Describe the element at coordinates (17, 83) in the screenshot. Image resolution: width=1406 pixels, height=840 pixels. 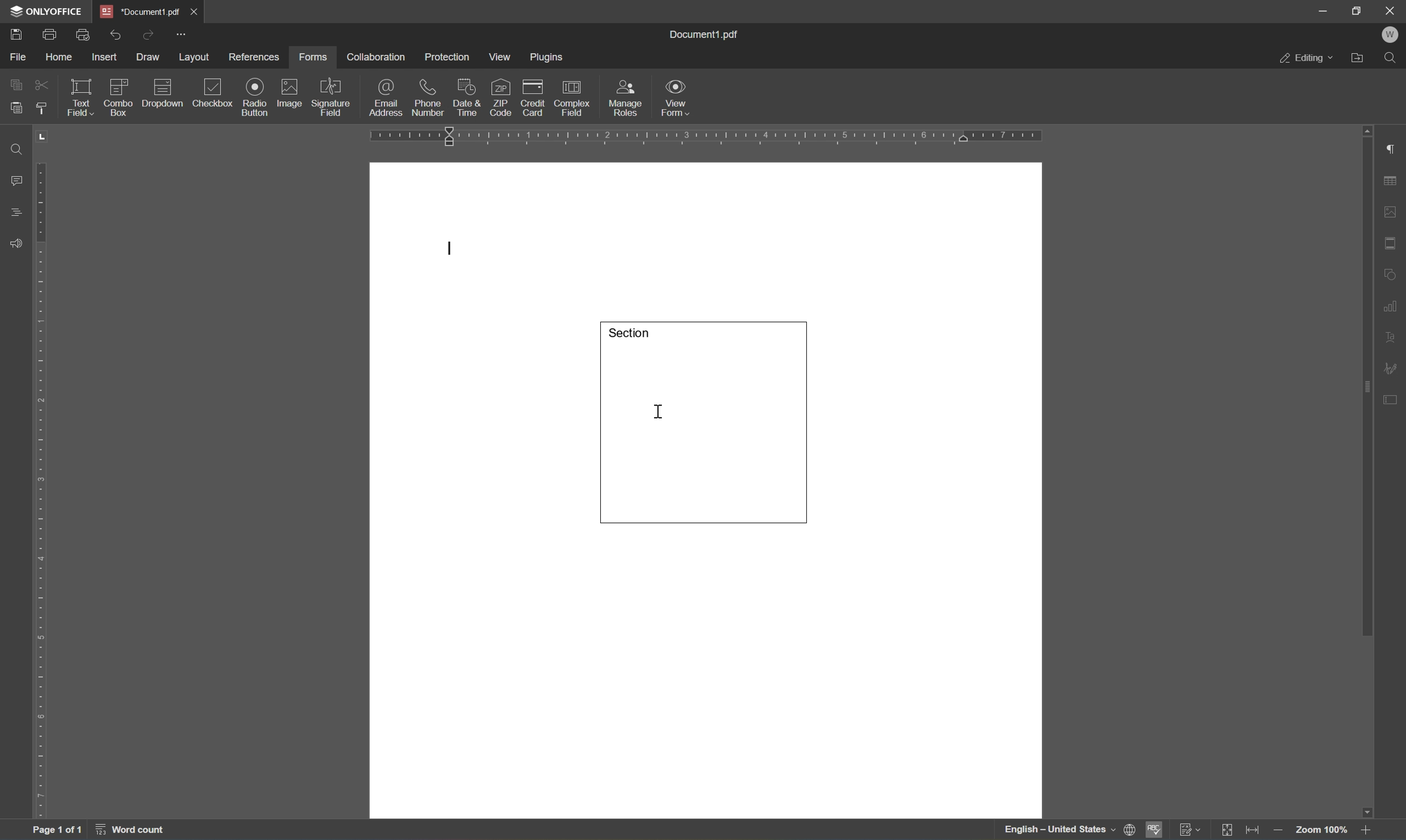
I see `copy` at that location.